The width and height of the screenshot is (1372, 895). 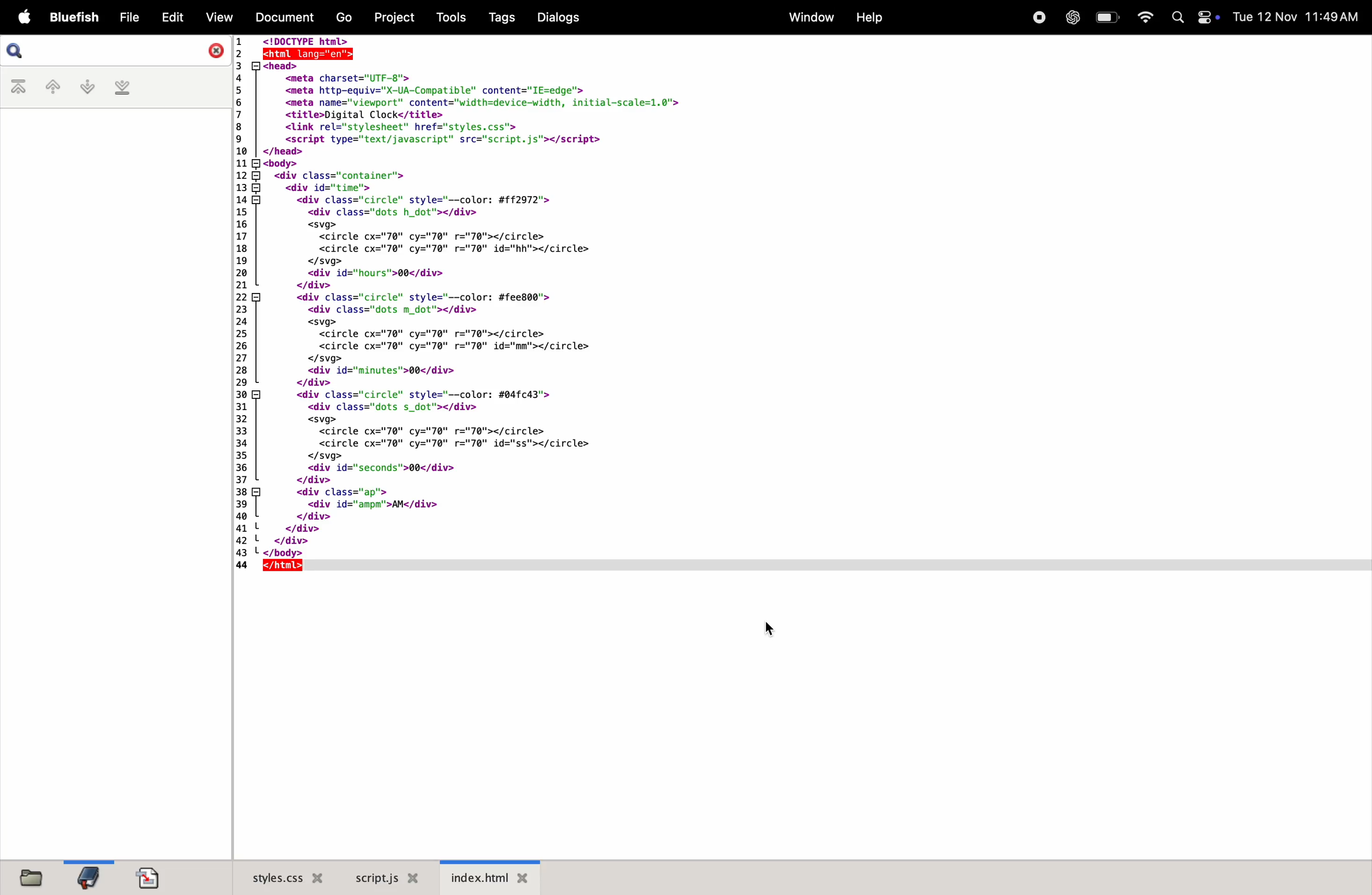 What do you see at coordinates (128, 18) in the screenshot?
I see `file` at bounding box center [128, 18].